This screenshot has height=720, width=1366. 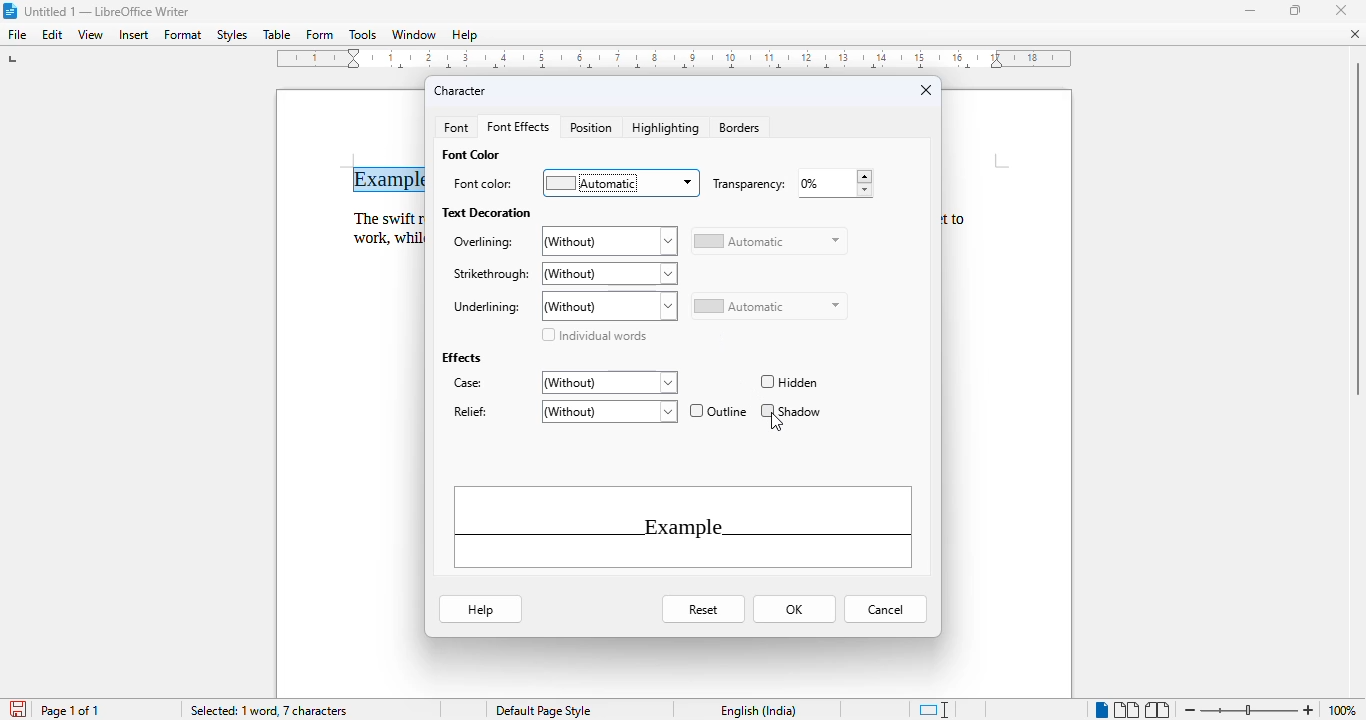 What do you see at coordinates (1126, 710) in the screenshot?
I see `multi-page view` at bounding box center [1126, 710].